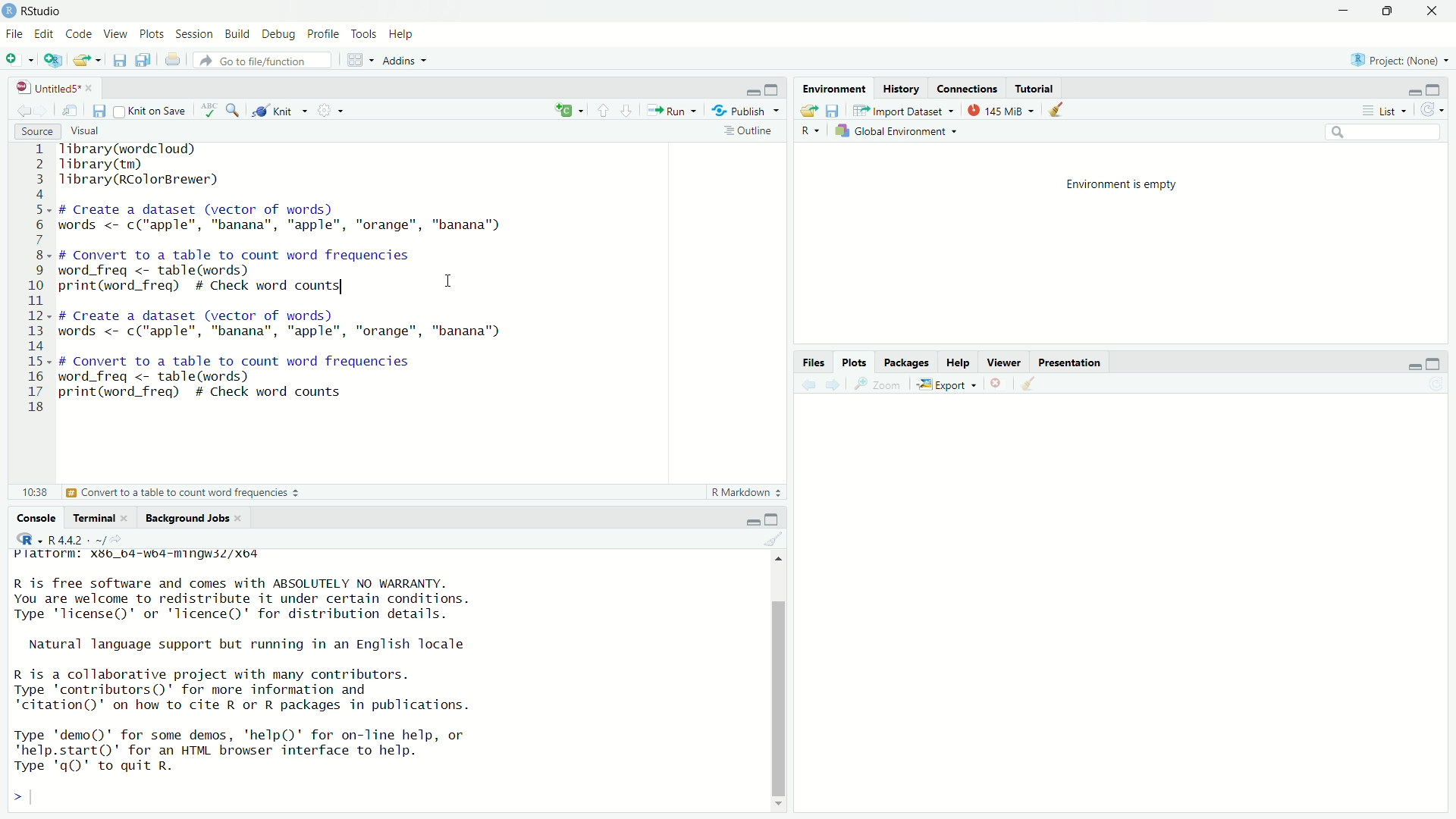  What do you see at coordinates (754, 523) in the screenshot?
I see `Minimize` at bounding box center [754, 523].